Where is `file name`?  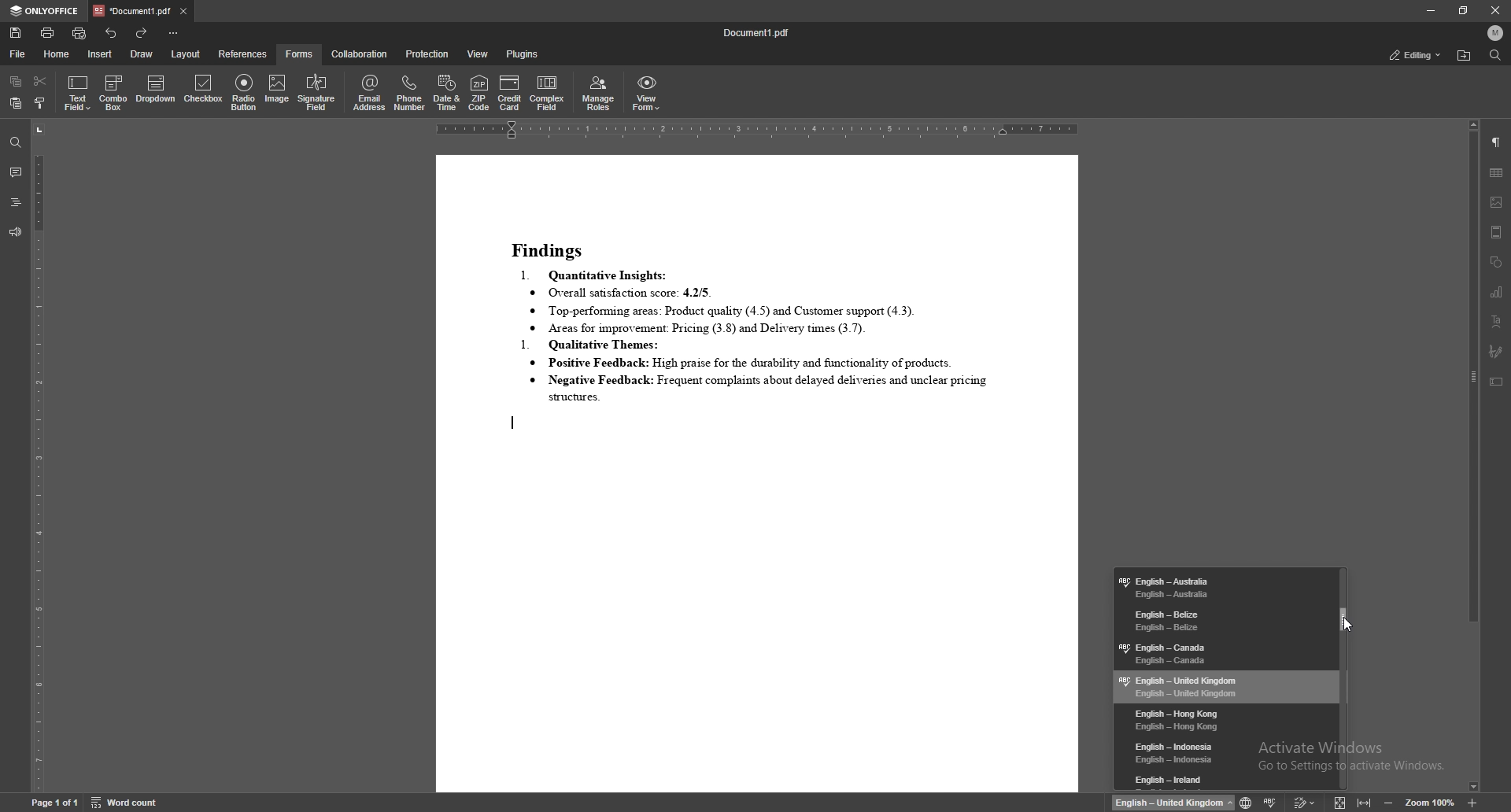
file name is located at coordinates (758, 35).